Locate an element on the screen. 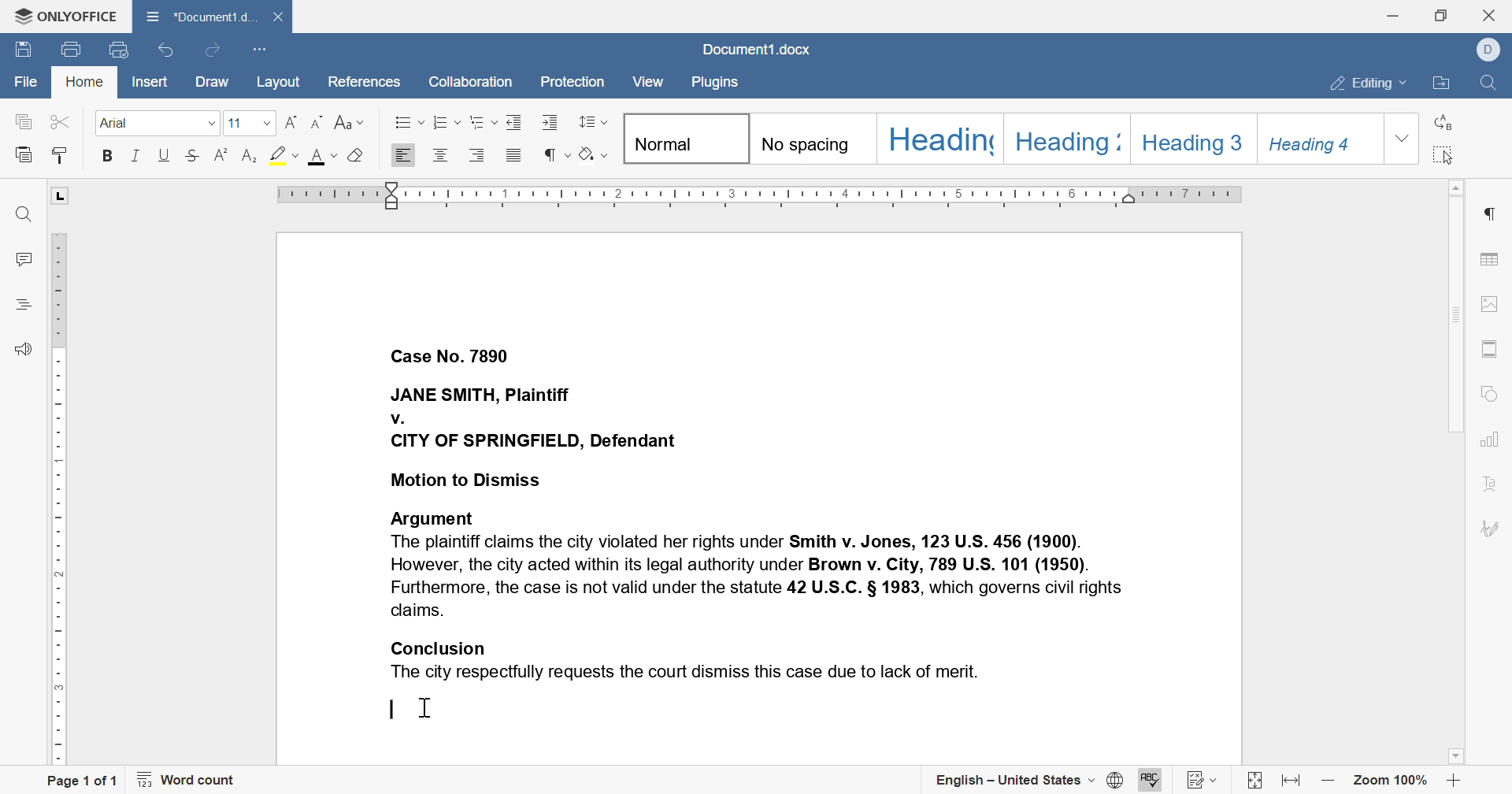 The image size is (1512, 794). select all is located at coordinates (1444, 154).